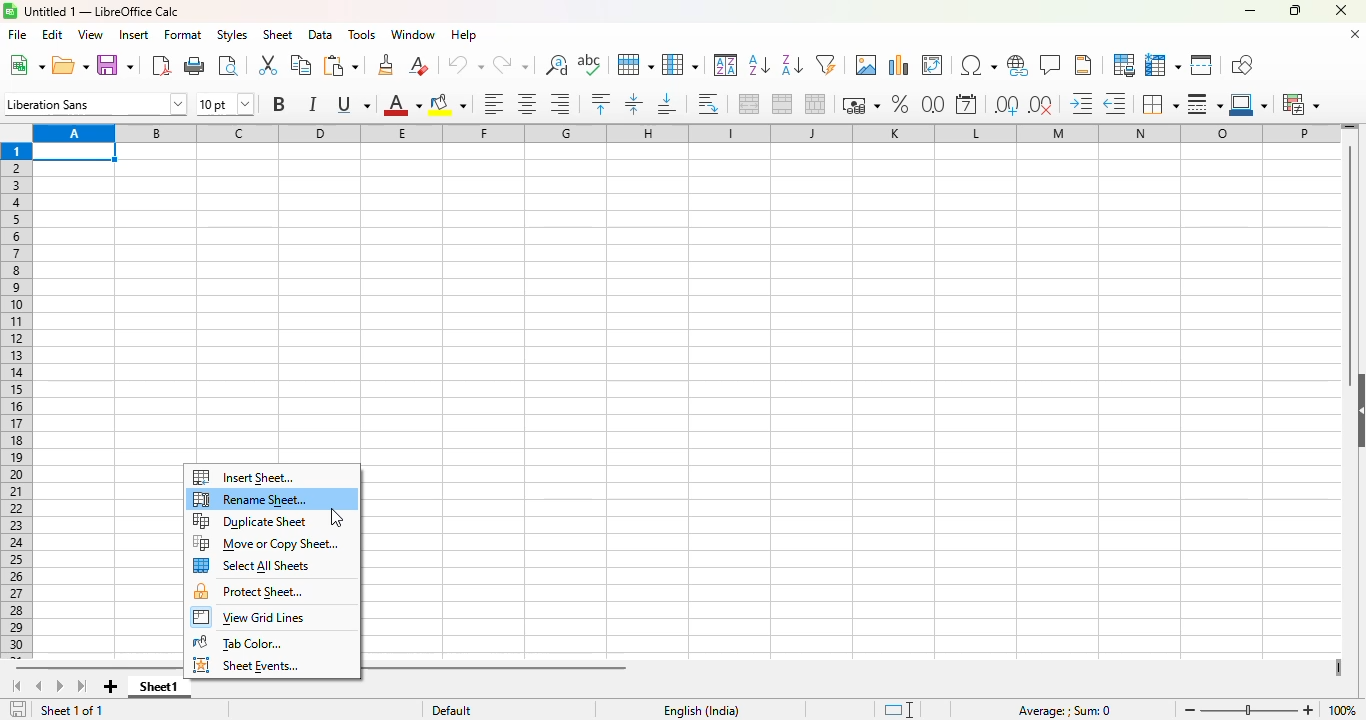 The image size is (1366, 720). Describe the element at coordinates (102, 12) in the screenshot. I see `Untitled 1 - LibreOffice Calc` at that location.